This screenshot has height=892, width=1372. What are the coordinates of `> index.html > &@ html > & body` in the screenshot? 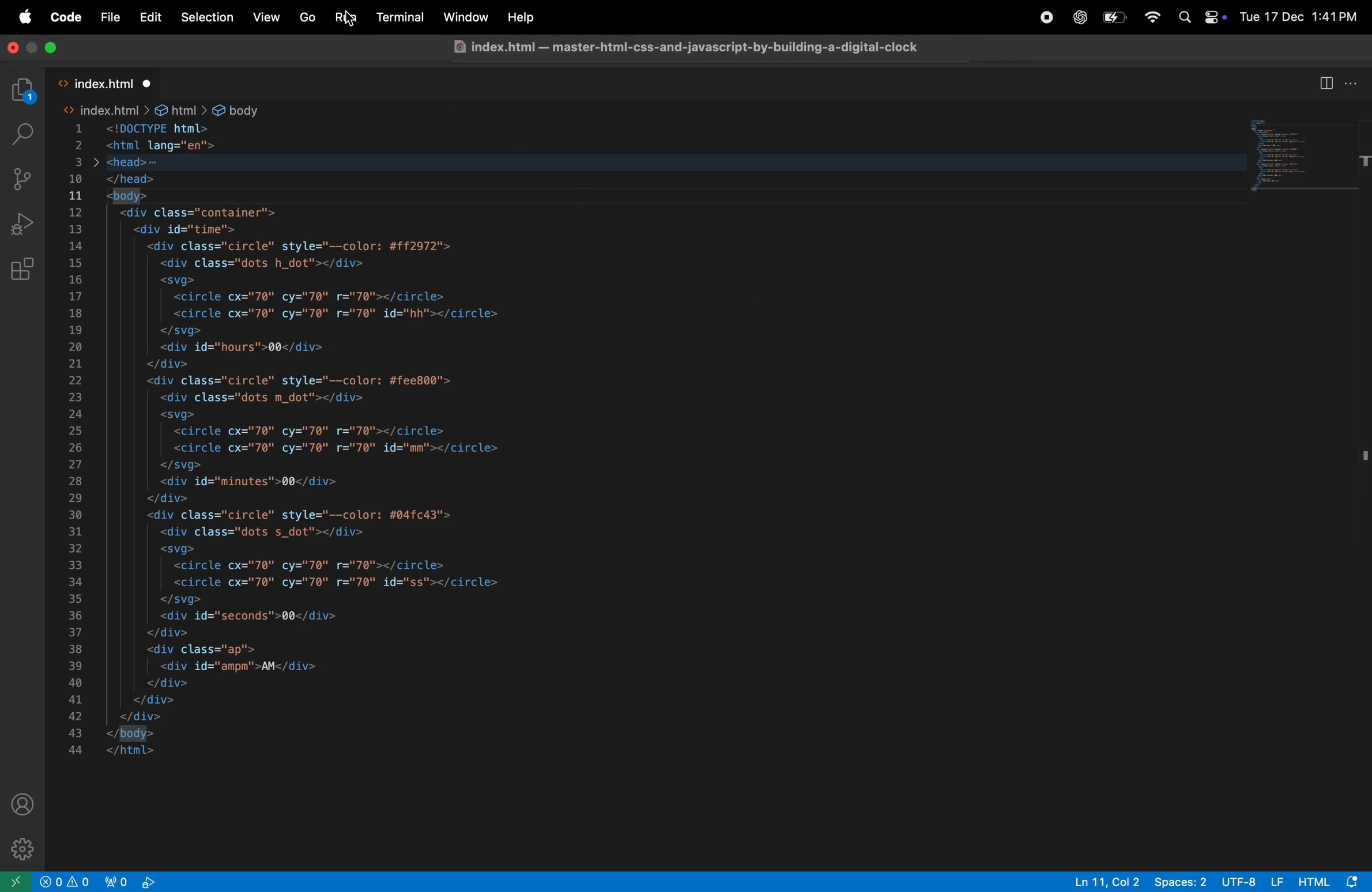 It's located at (159, 111).